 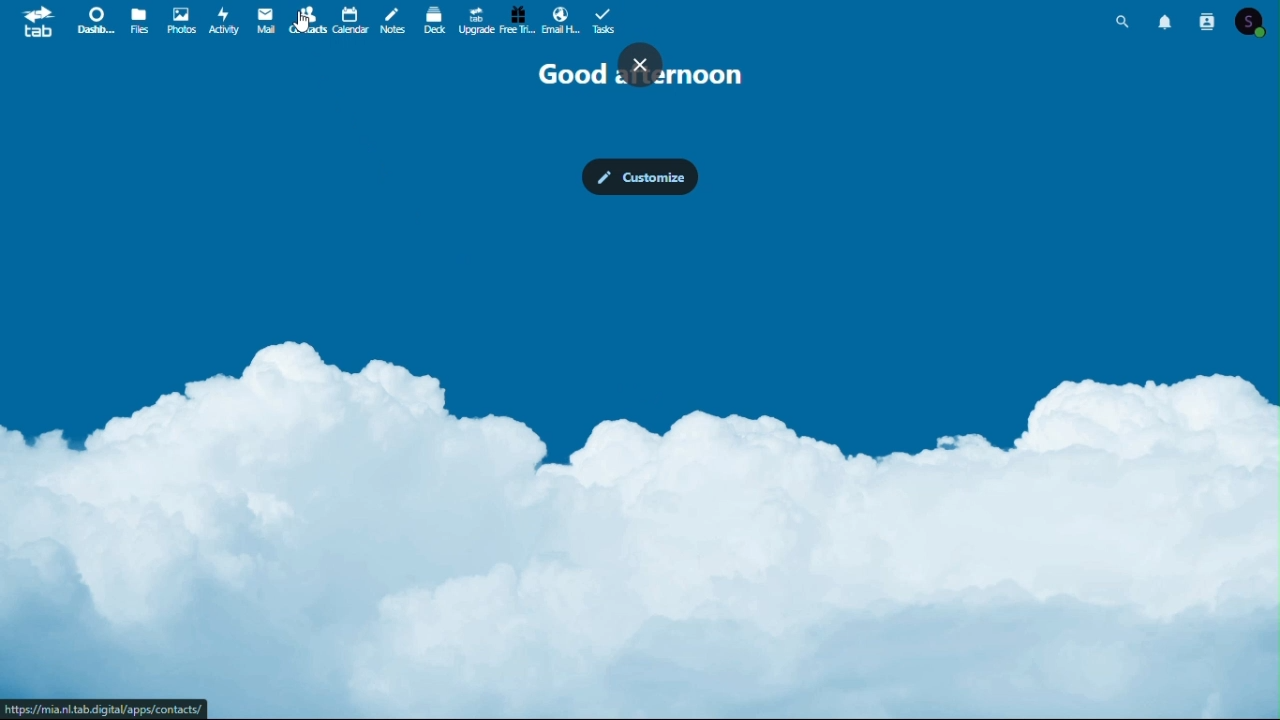 I want to click on Activity, so click(x=225, y=21).